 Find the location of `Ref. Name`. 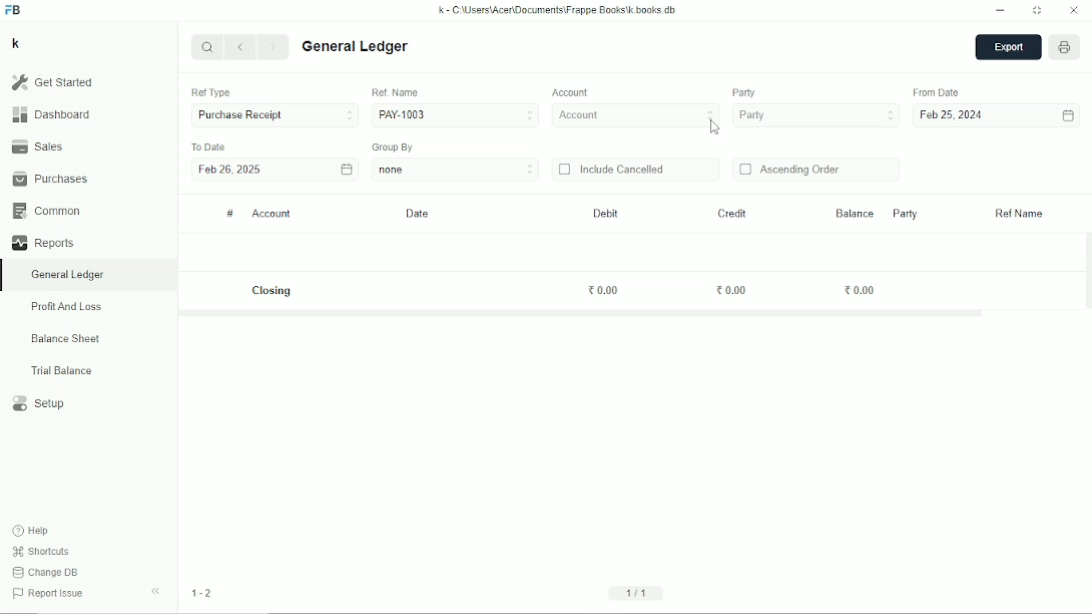

Ref. Name is located at coordinates (395, 92).